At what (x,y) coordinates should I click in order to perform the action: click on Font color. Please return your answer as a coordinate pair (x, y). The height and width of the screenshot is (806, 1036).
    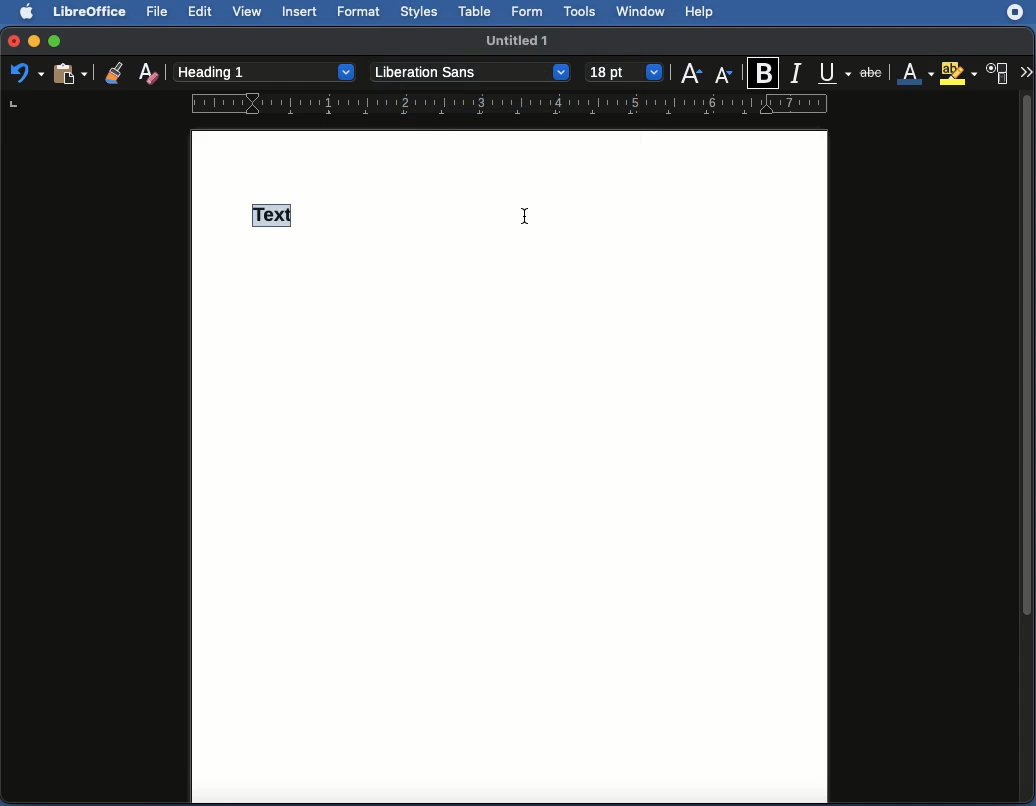
    Looking at the image, I should click on (915, 74).